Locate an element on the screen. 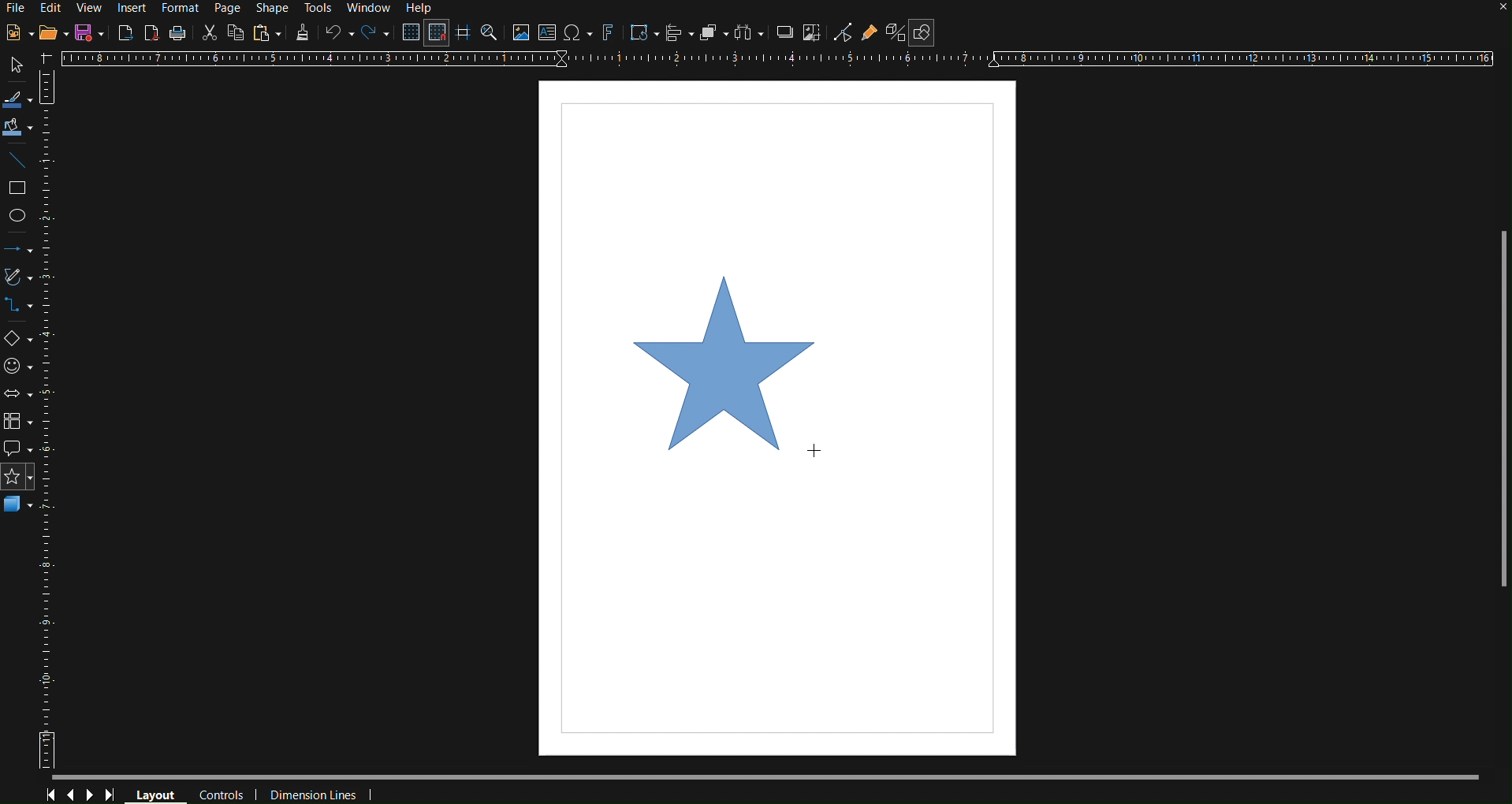 The width and height of the screenshot is (1512, 804). Arrows is located at coordinates (20, 253).